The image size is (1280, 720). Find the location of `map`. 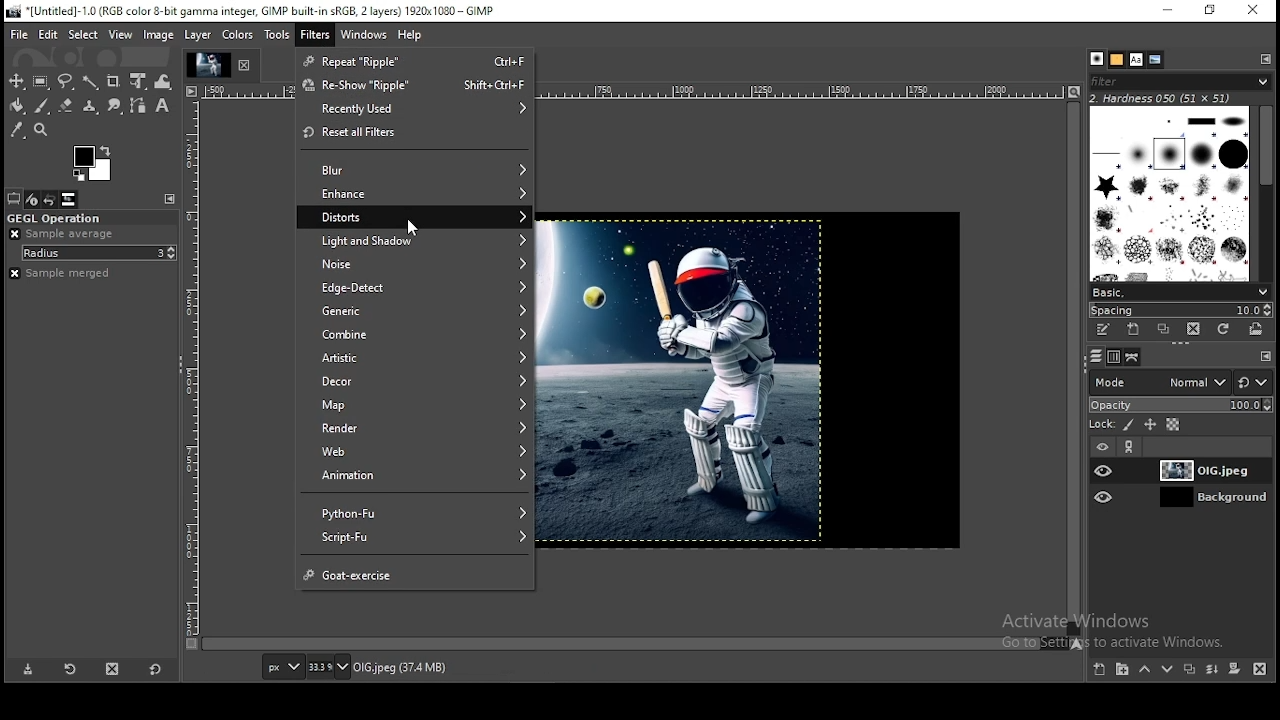

map is located at coordinates (422, 403).